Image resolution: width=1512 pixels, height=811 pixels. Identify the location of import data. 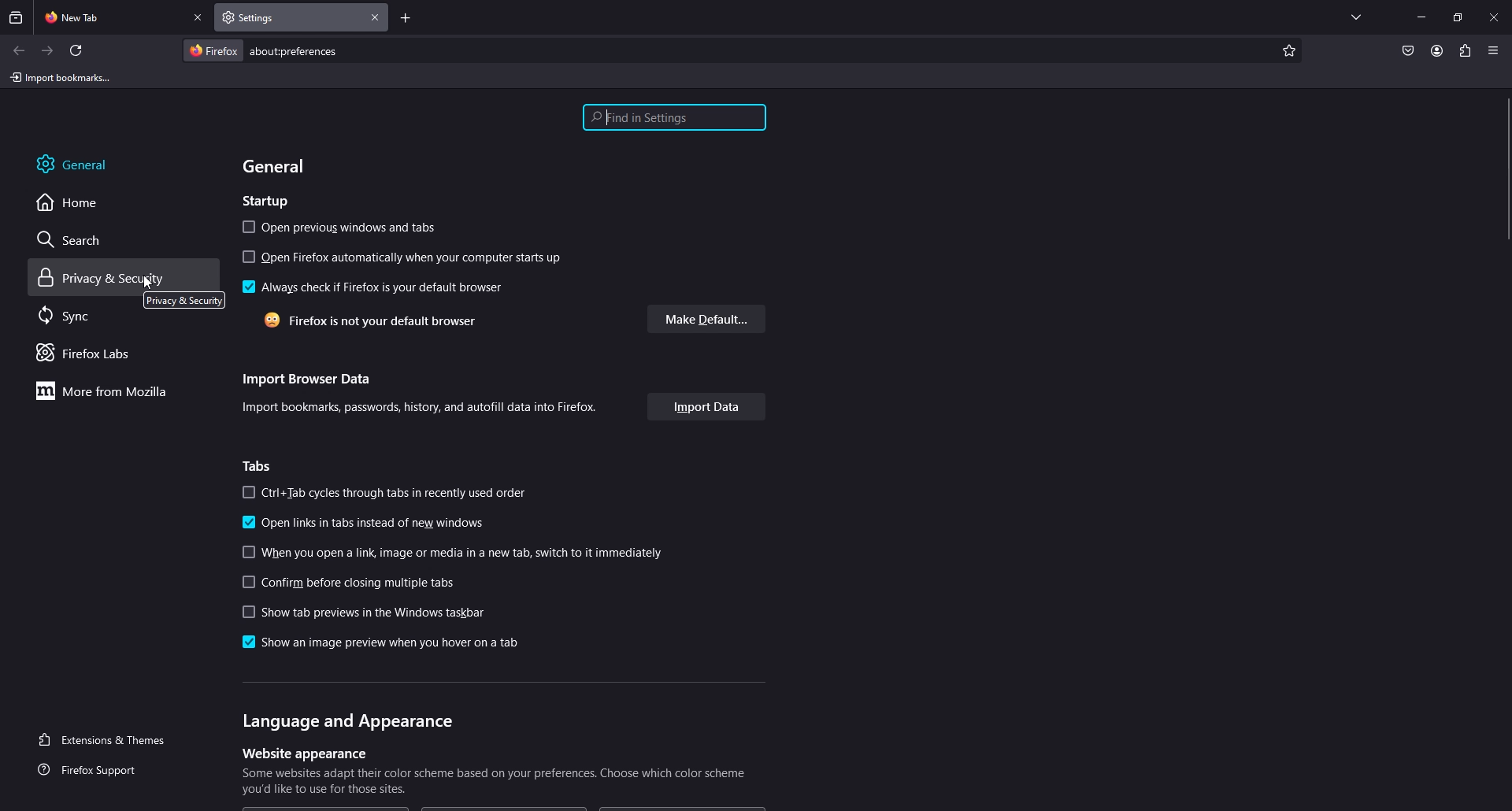
(707, 407).